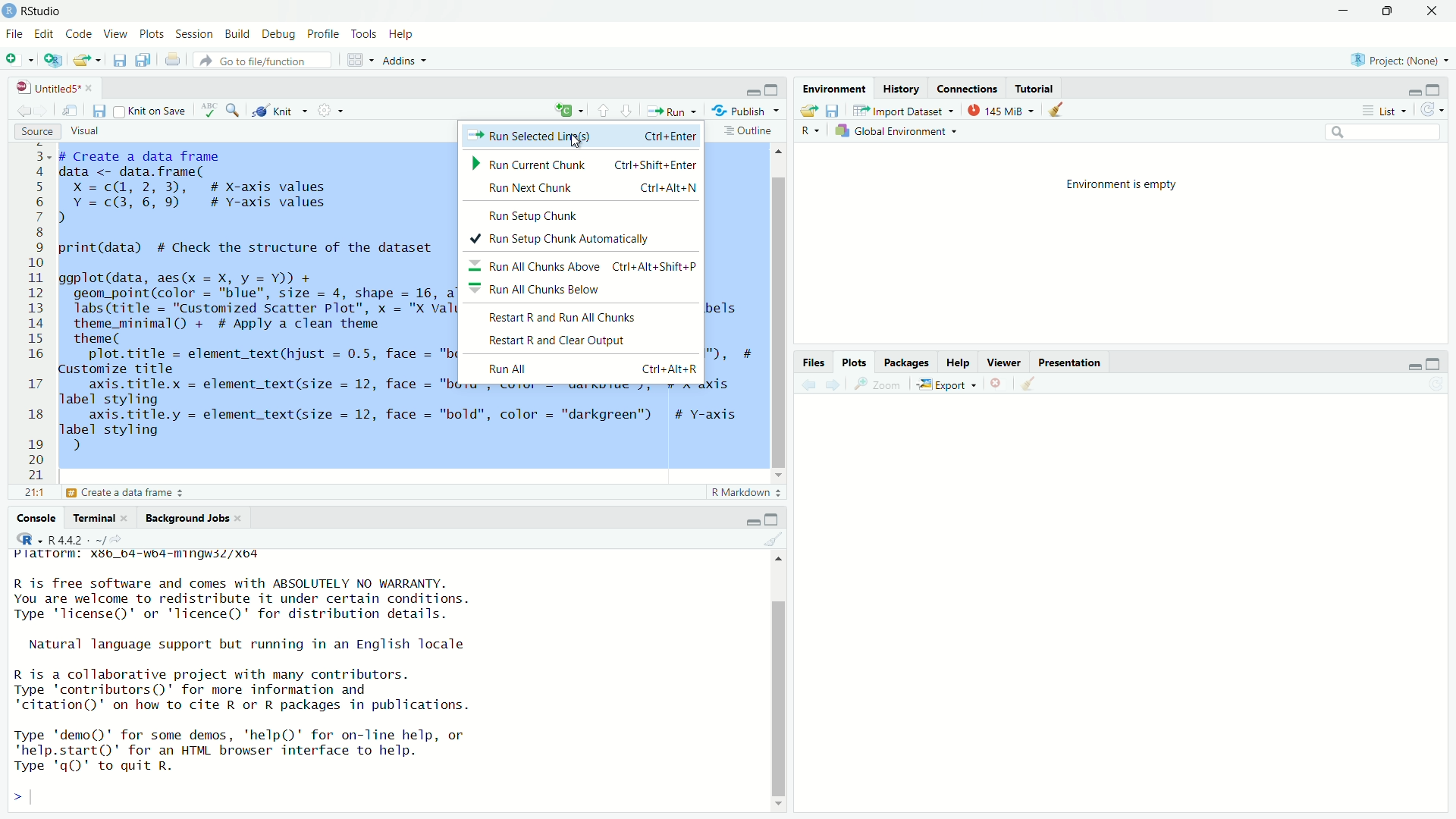 The image size is (1456, 819). Describe the element at coordinates (208, 111) in the screenshot. I see `ABC` at that location.